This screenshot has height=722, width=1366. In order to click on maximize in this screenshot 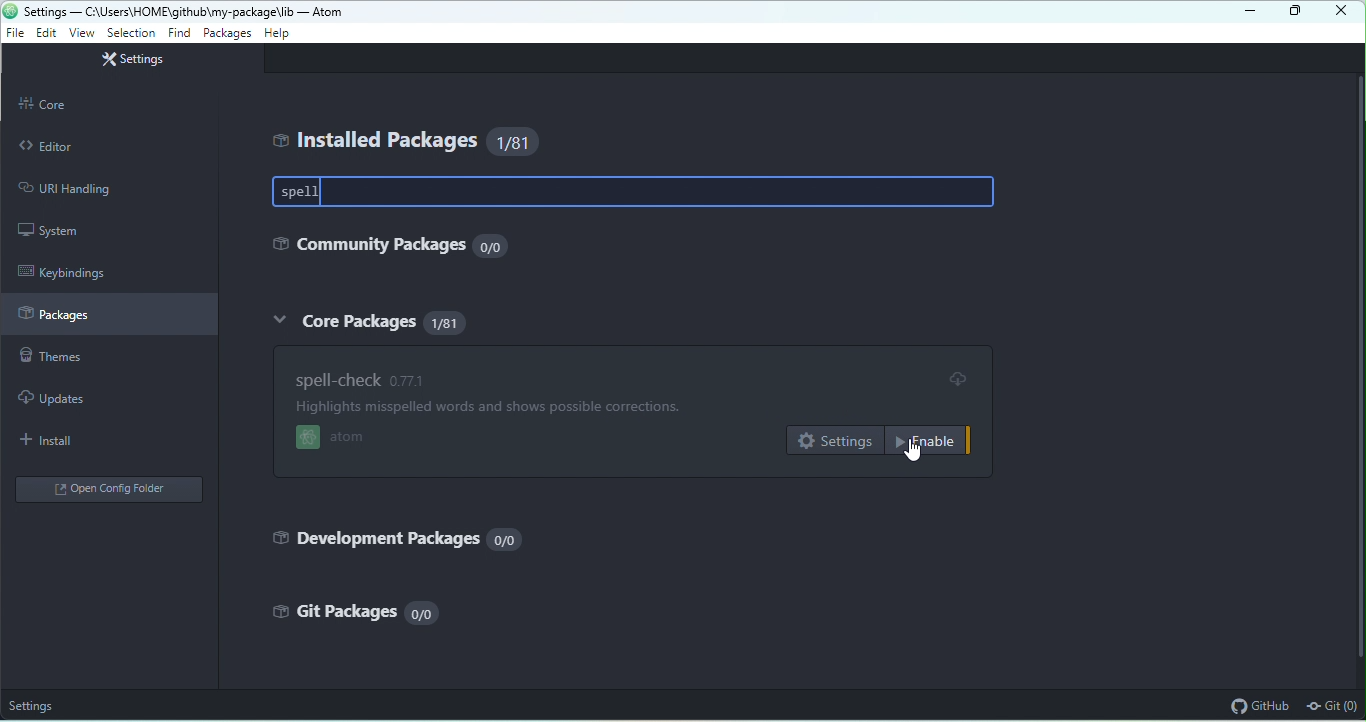, I will do `click(1295, 12)`.